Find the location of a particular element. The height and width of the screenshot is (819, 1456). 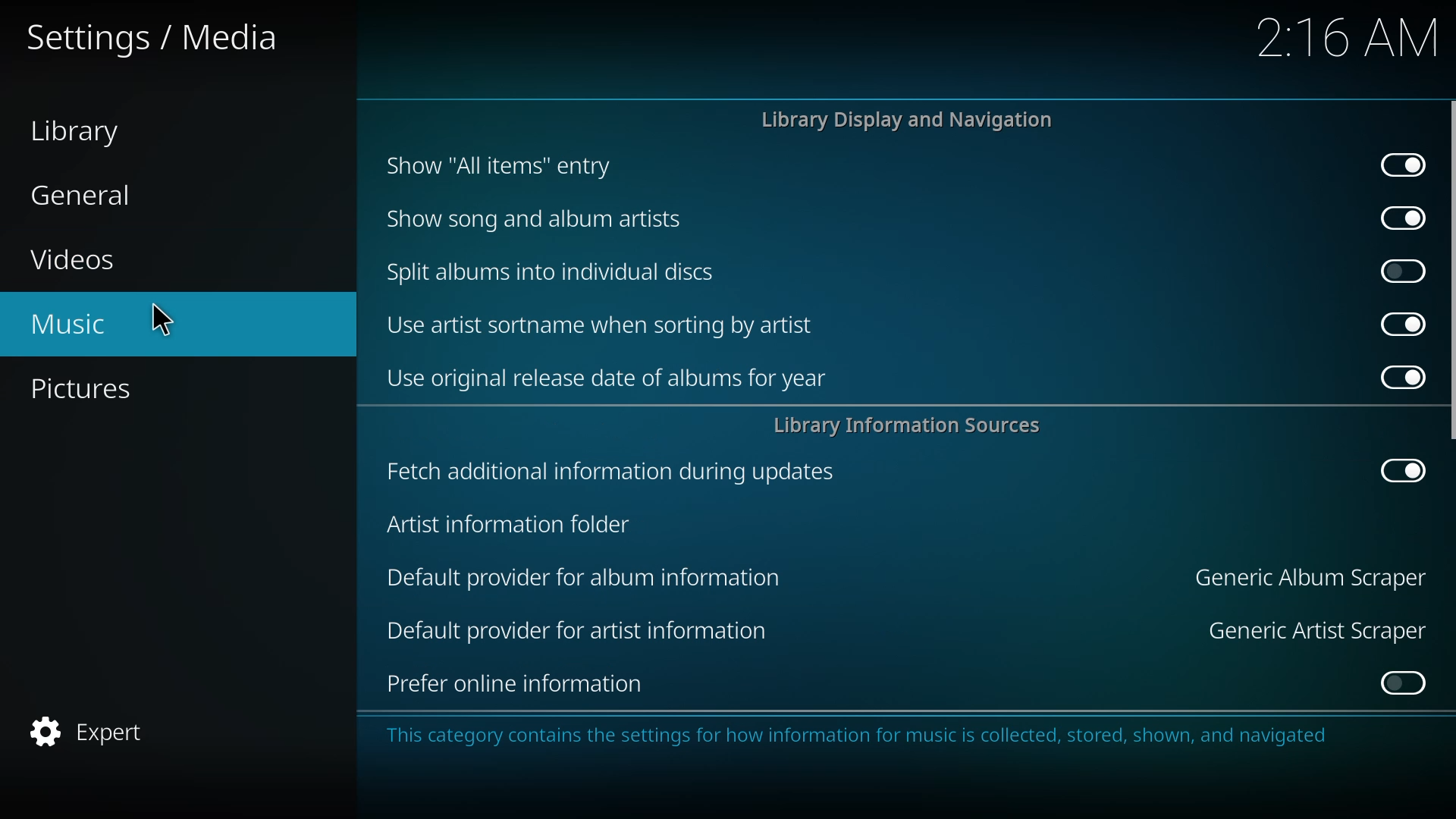

enabled is located at coordinates (1401, 684).